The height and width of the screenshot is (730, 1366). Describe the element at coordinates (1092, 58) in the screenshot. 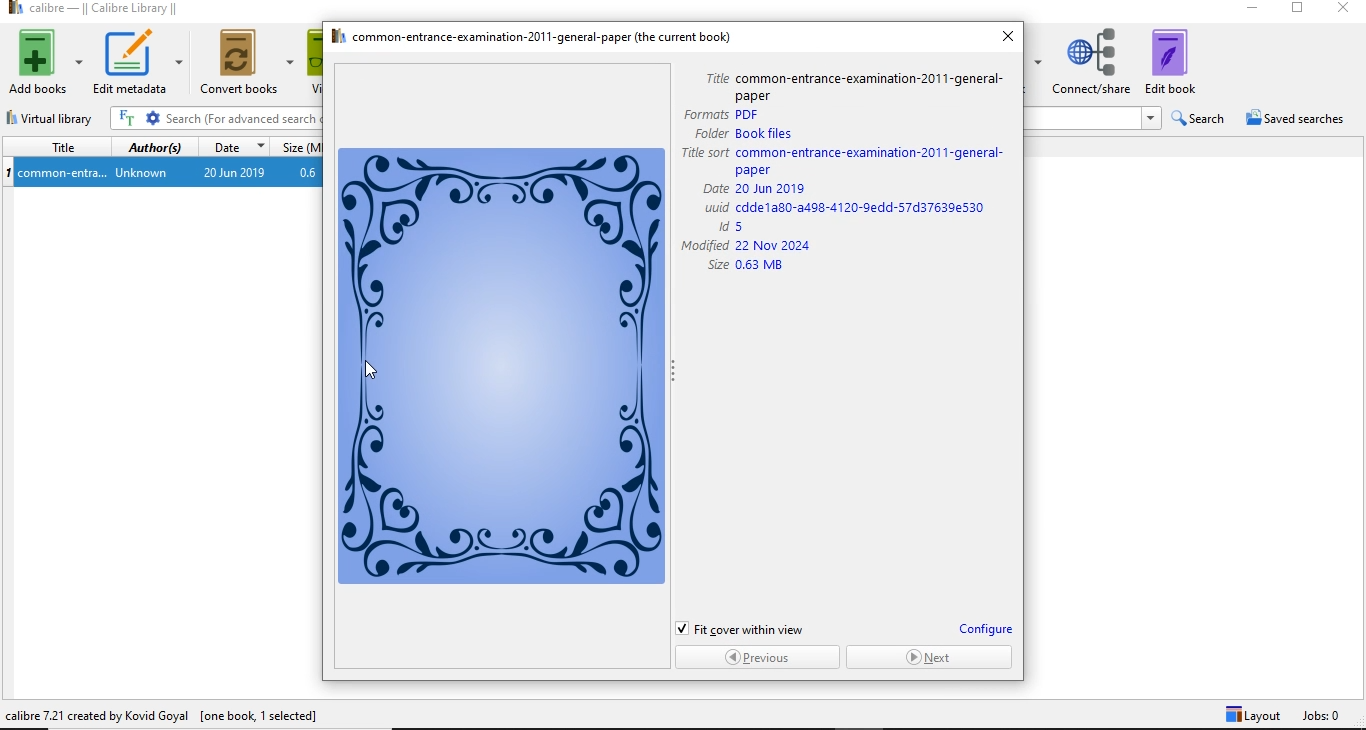

I see `connect/share` at that location.